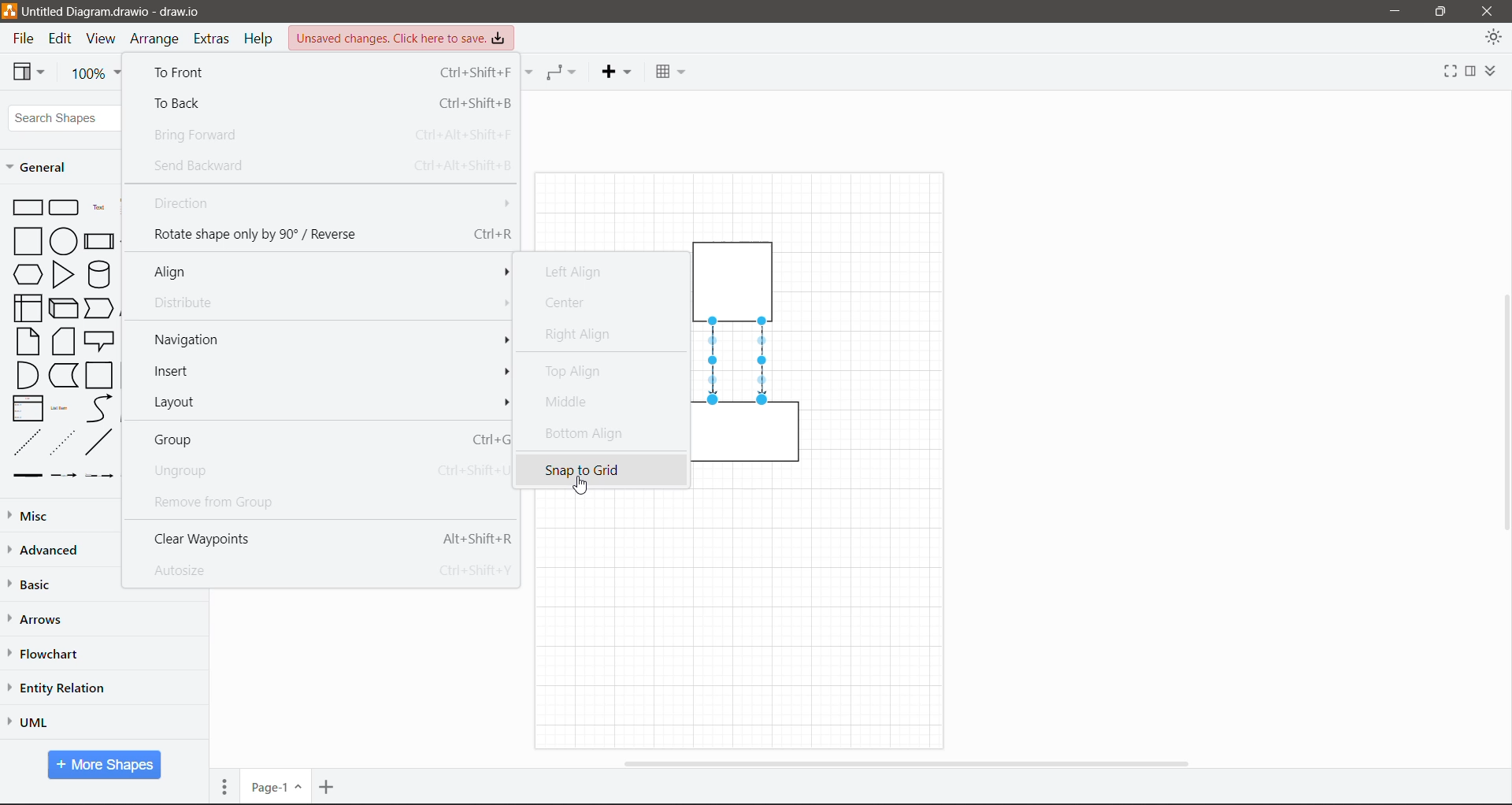  Describe the element at coordinates (1447, 73) in the screenshot. I see `Fullscreen` at that location.